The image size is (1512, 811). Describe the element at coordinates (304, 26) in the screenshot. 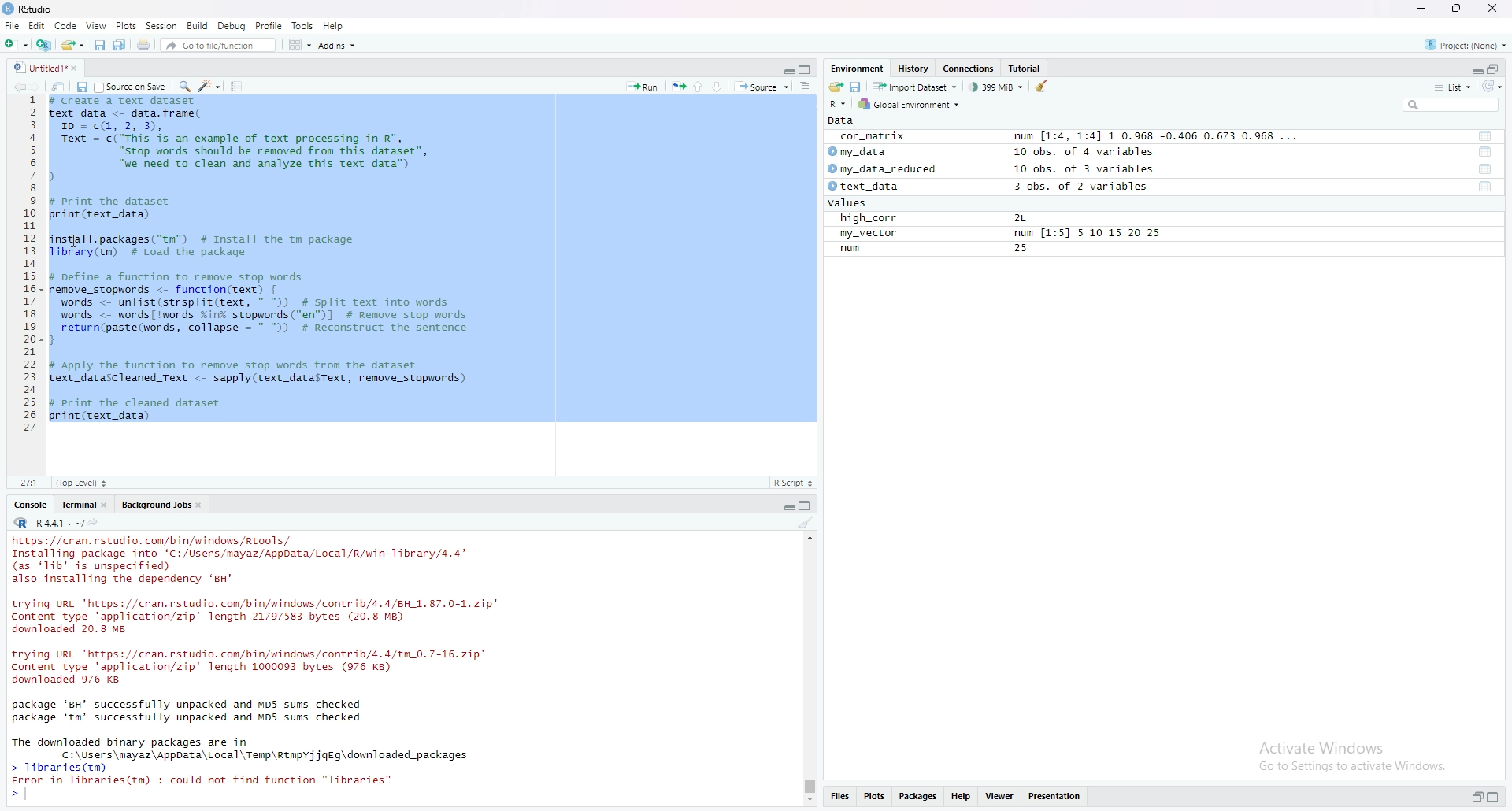

I see `tools` at that location.